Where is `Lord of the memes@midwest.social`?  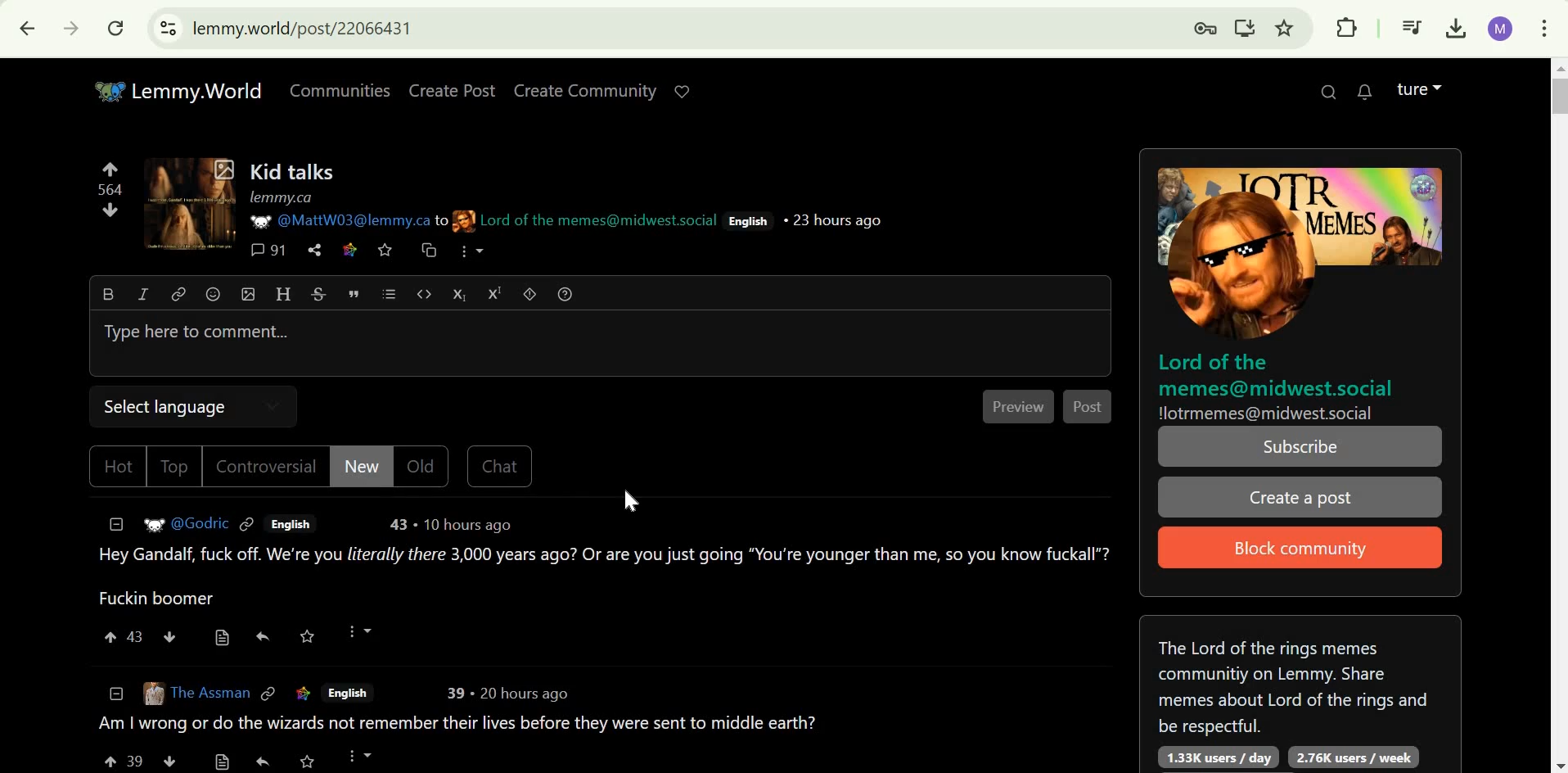 Lord of the memes@midwest.social is located at coordinates (1278, 374).